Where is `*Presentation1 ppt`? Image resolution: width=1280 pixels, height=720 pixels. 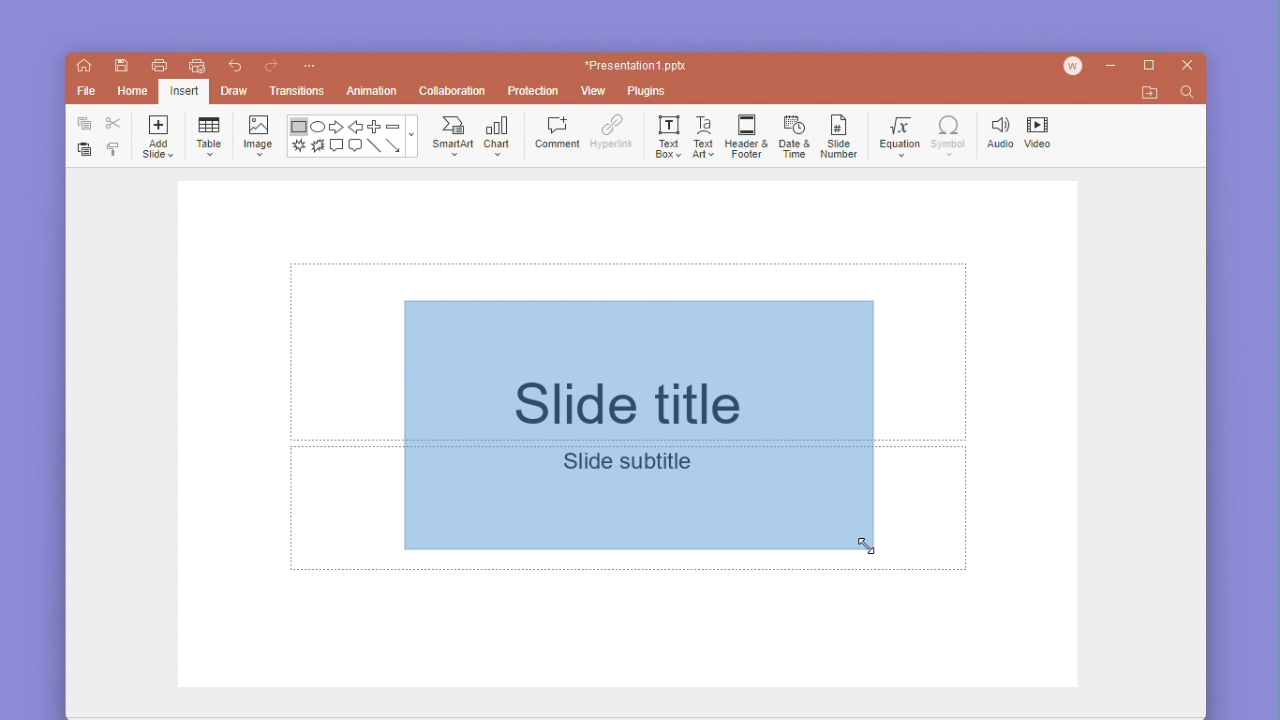
*Presentation1 ppt is located at coordinates (636, 65).